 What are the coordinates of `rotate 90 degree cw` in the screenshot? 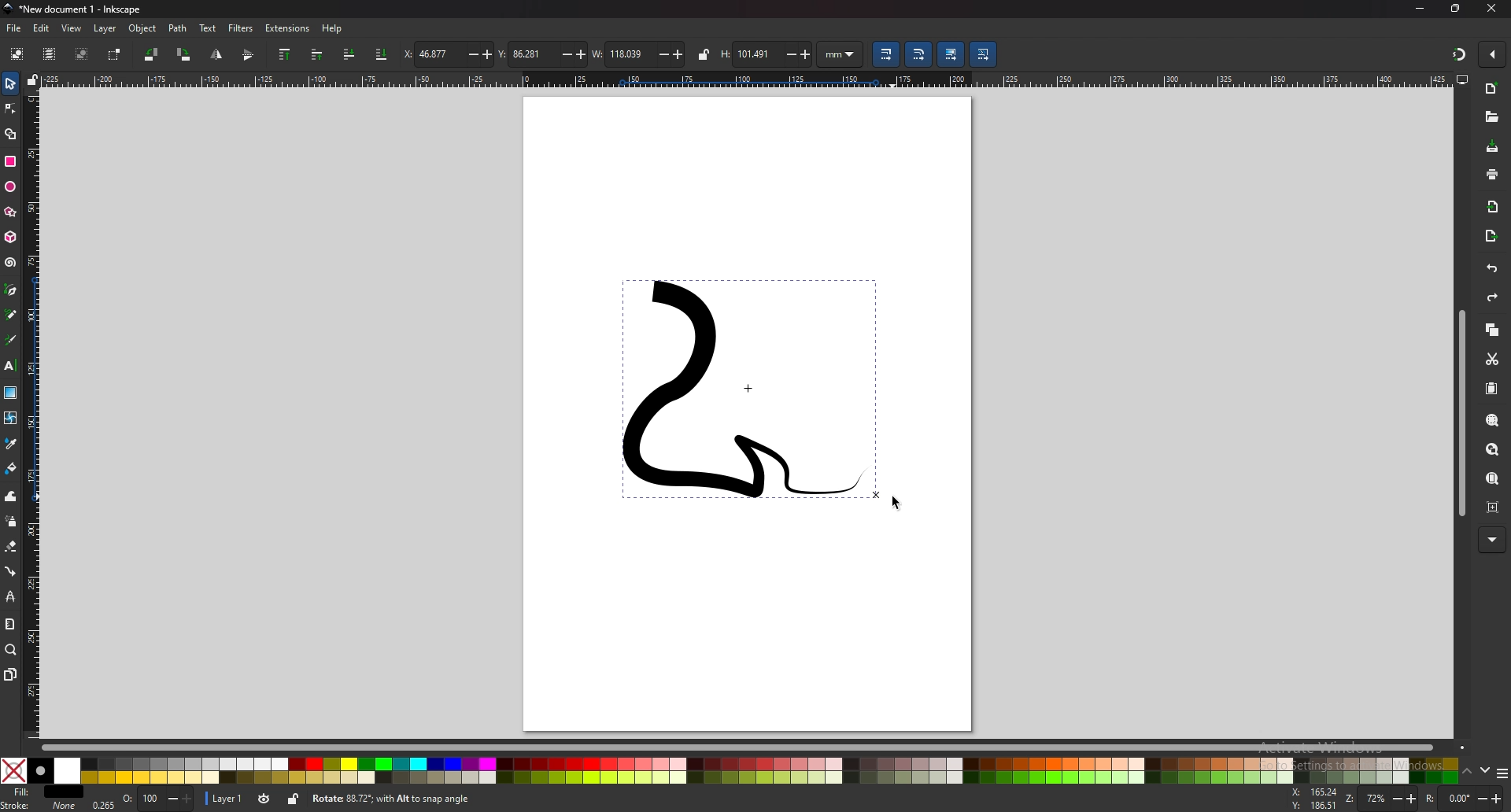 It's located at (184, 54).